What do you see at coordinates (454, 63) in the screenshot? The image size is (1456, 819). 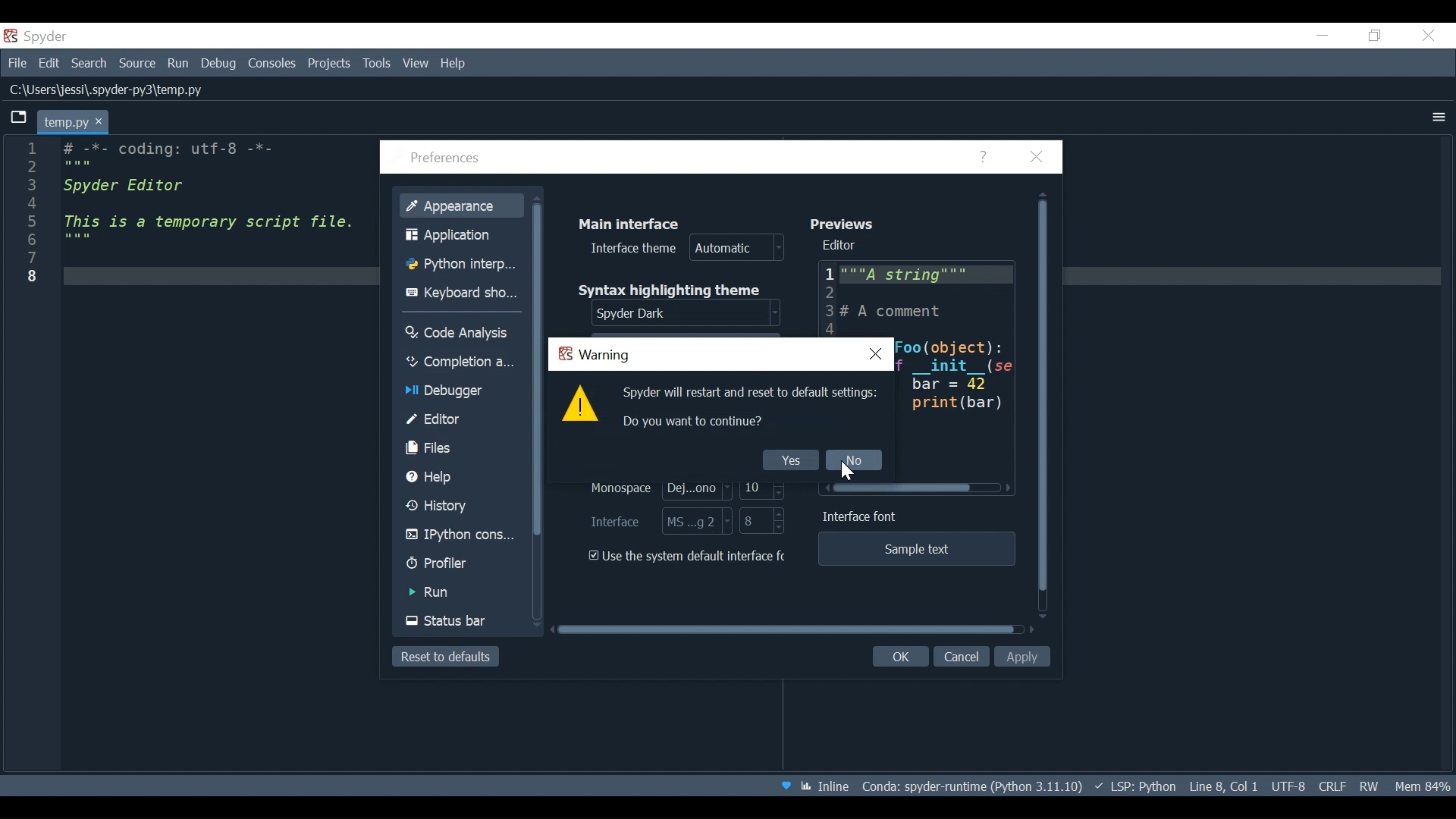 I see `Help` at bounding box center [454, 63].